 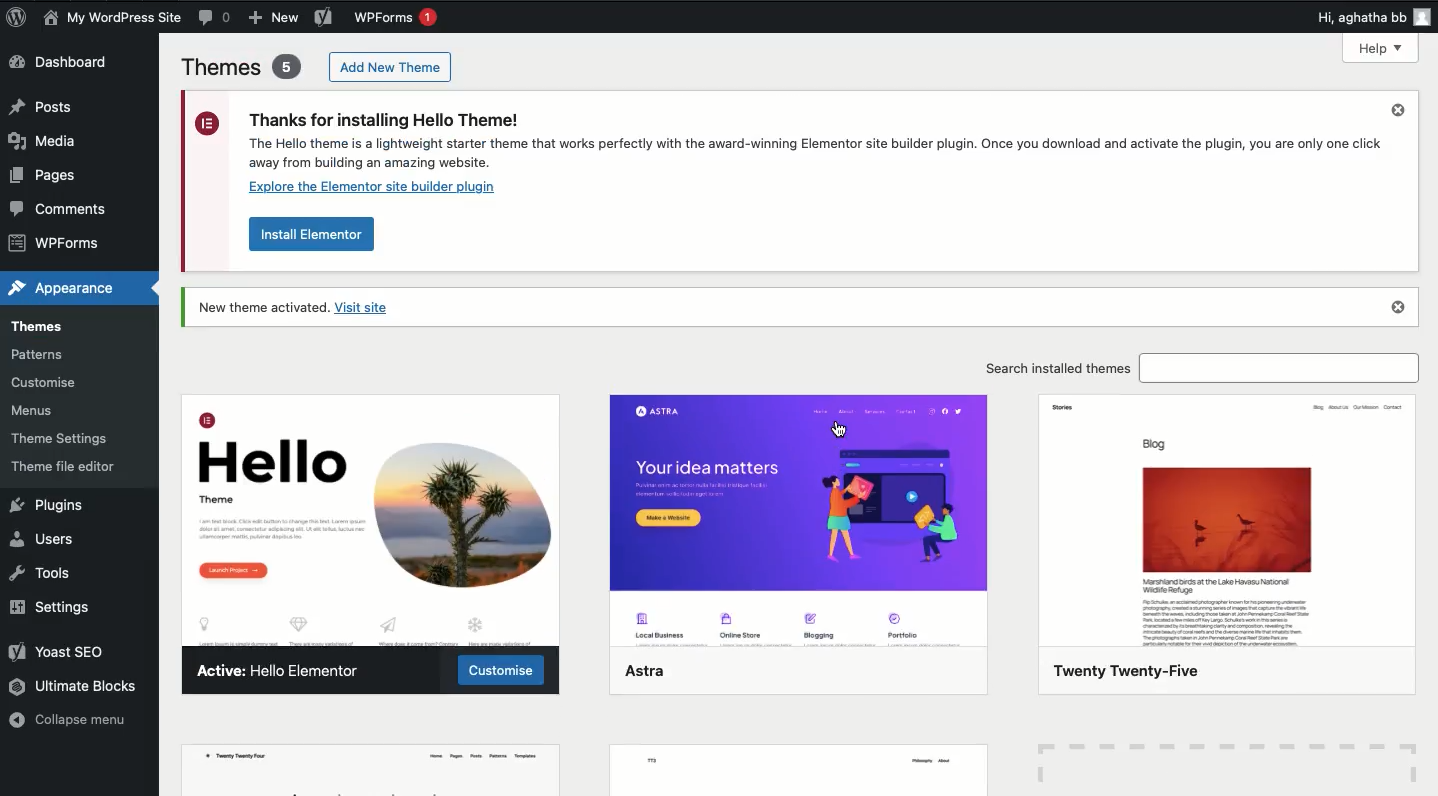 What do you see at coordinates (53, 242) in the screenshot?
I see `WPForms` at bounding box center [53, 242].